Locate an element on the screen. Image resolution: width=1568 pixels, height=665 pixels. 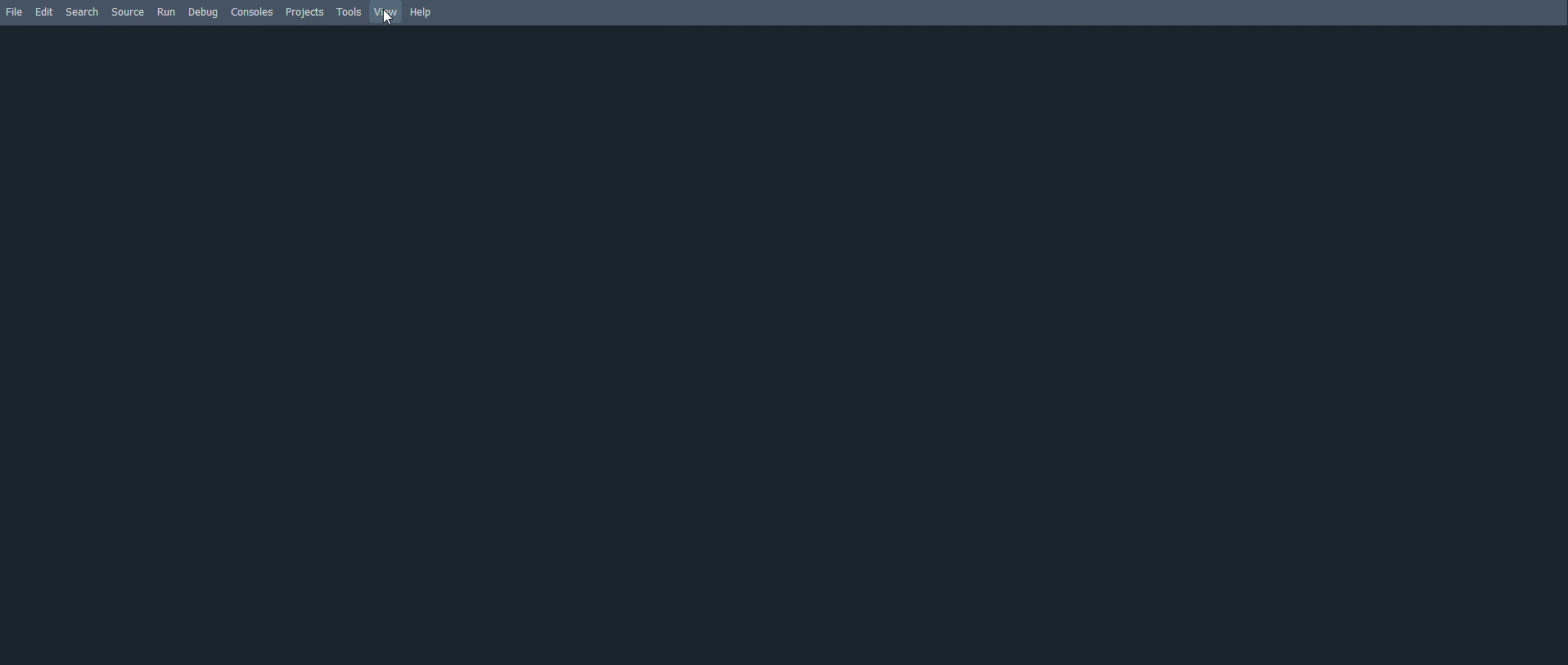
View is located at coordinates (388, 12).